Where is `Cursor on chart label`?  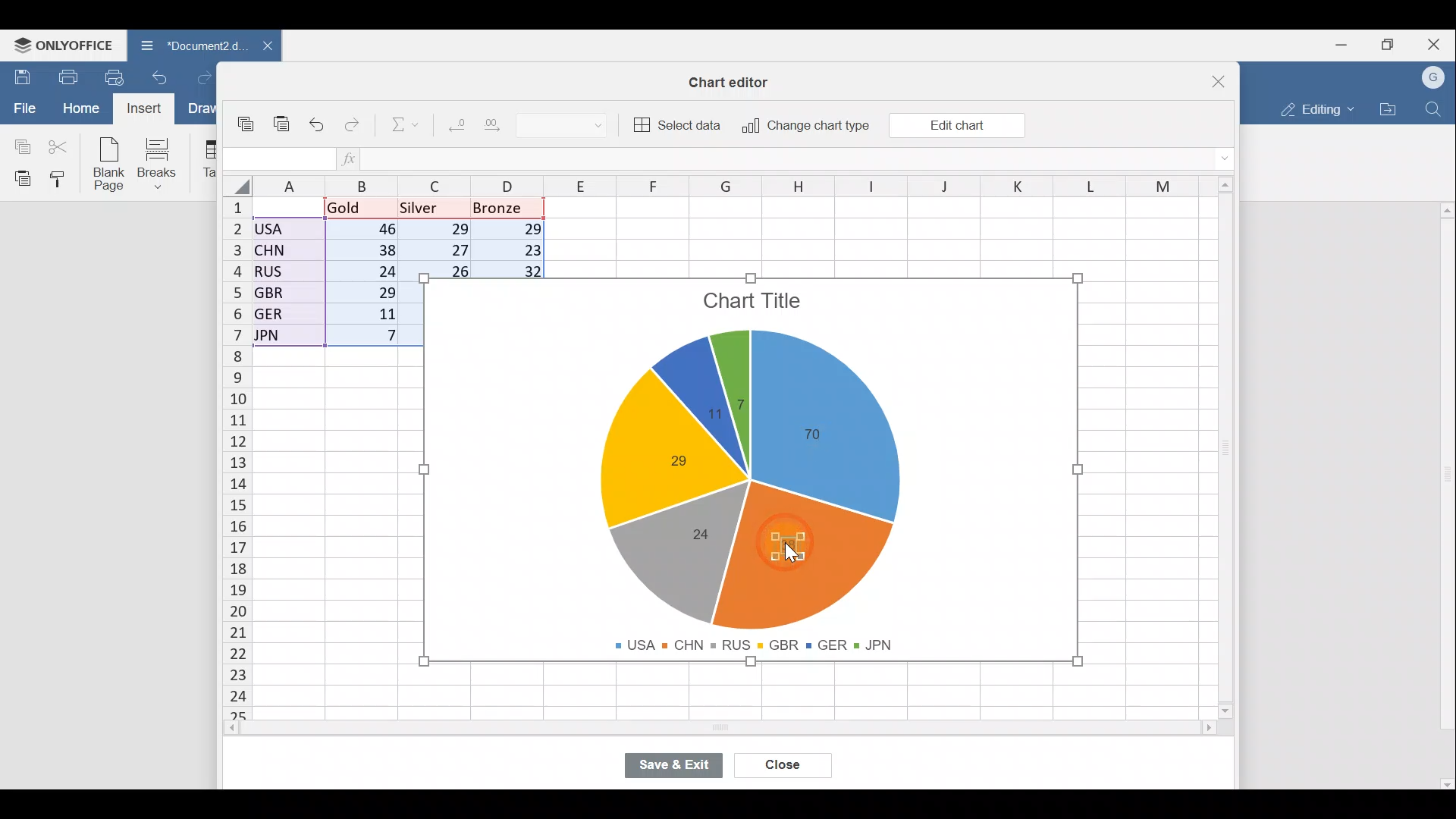
Cursor on chart label is located at coordinates (795, 539).